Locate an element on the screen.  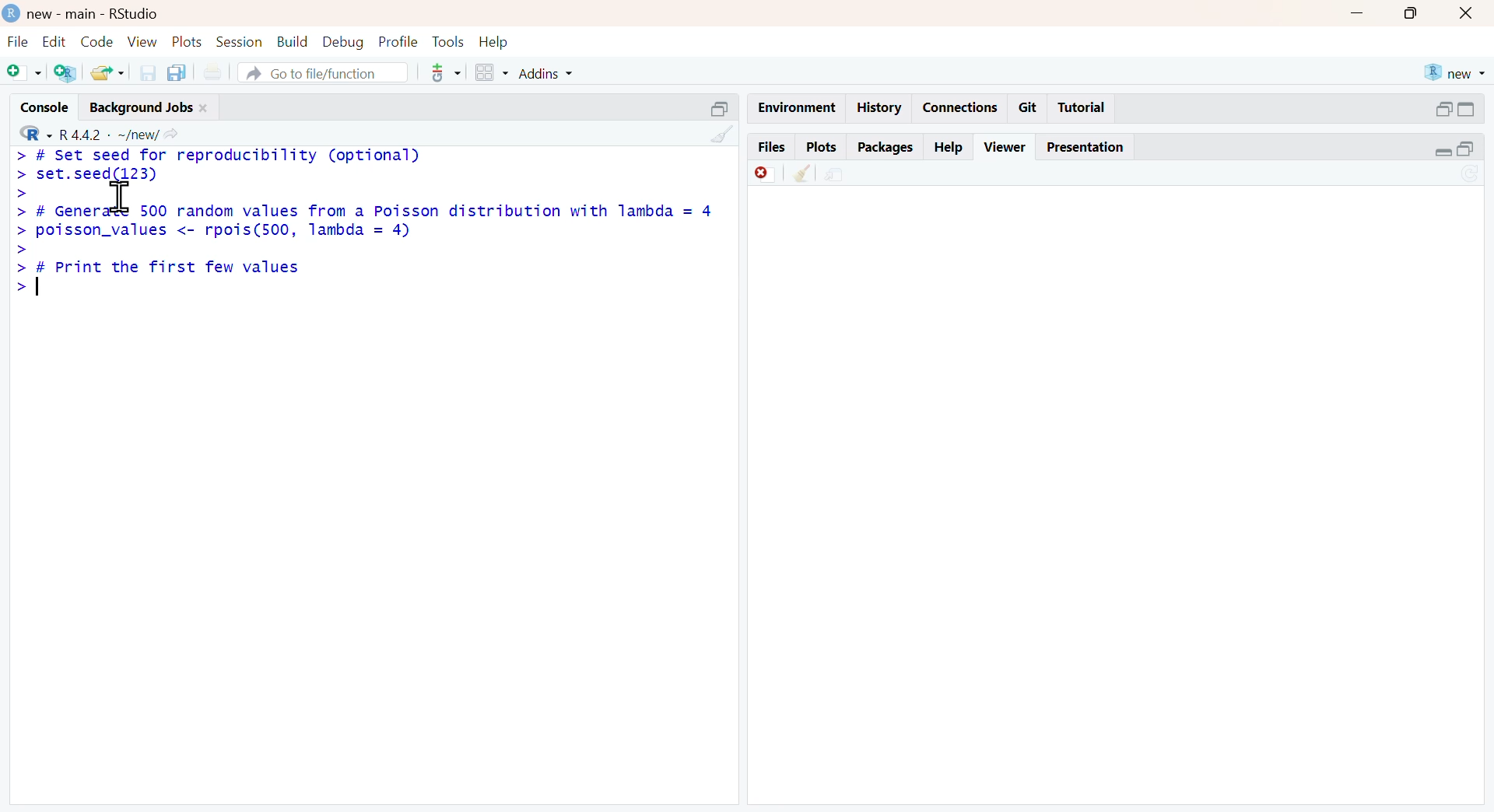
clean is located at coordinates (725, 135).